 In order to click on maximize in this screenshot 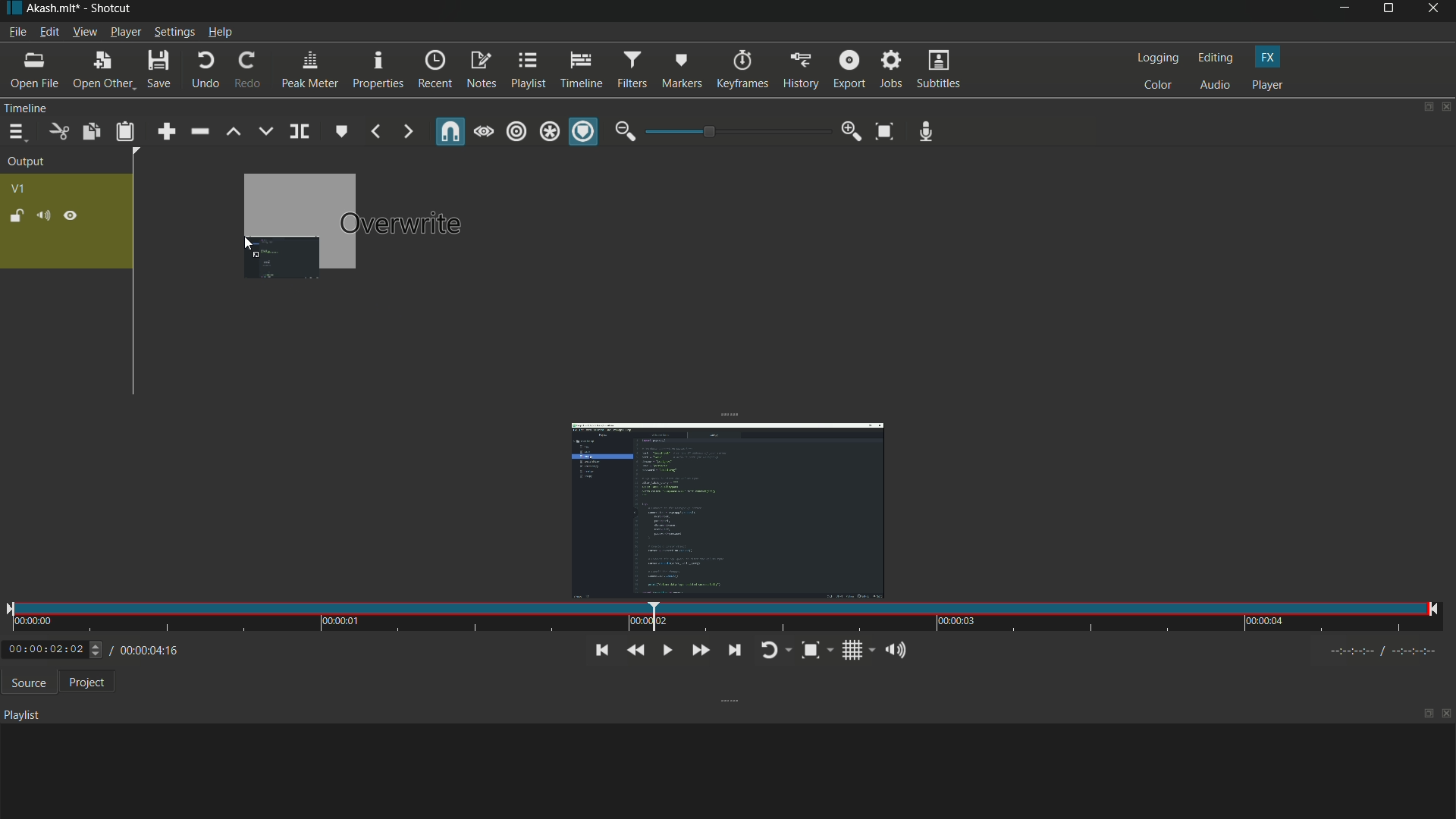, I will do `click(1428, 714)`.